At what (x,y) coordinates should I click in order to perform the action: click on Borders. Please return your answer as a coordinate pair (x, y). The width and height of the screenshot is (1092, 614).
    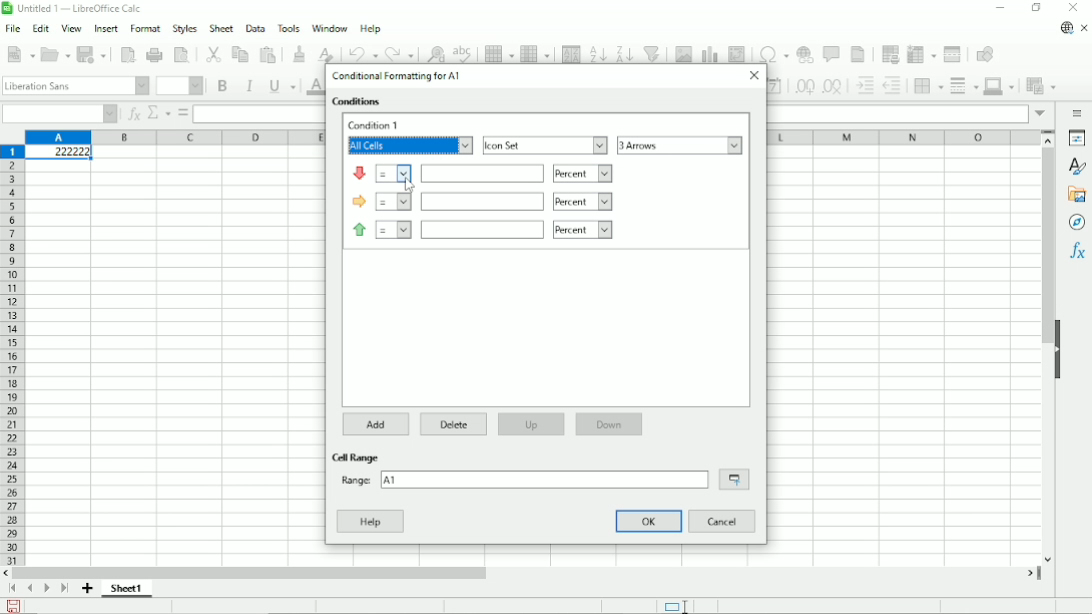
    Looking at the image, I should click on (928, 85).